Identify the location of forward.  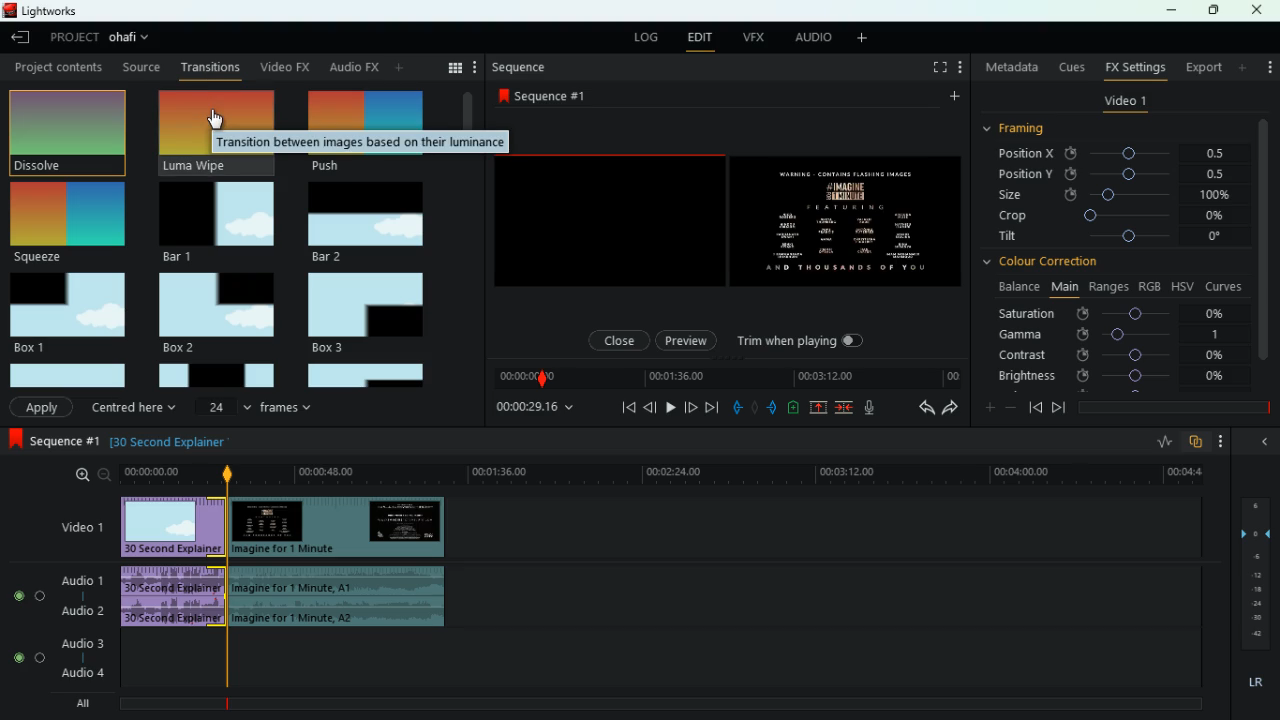
(711, 408).